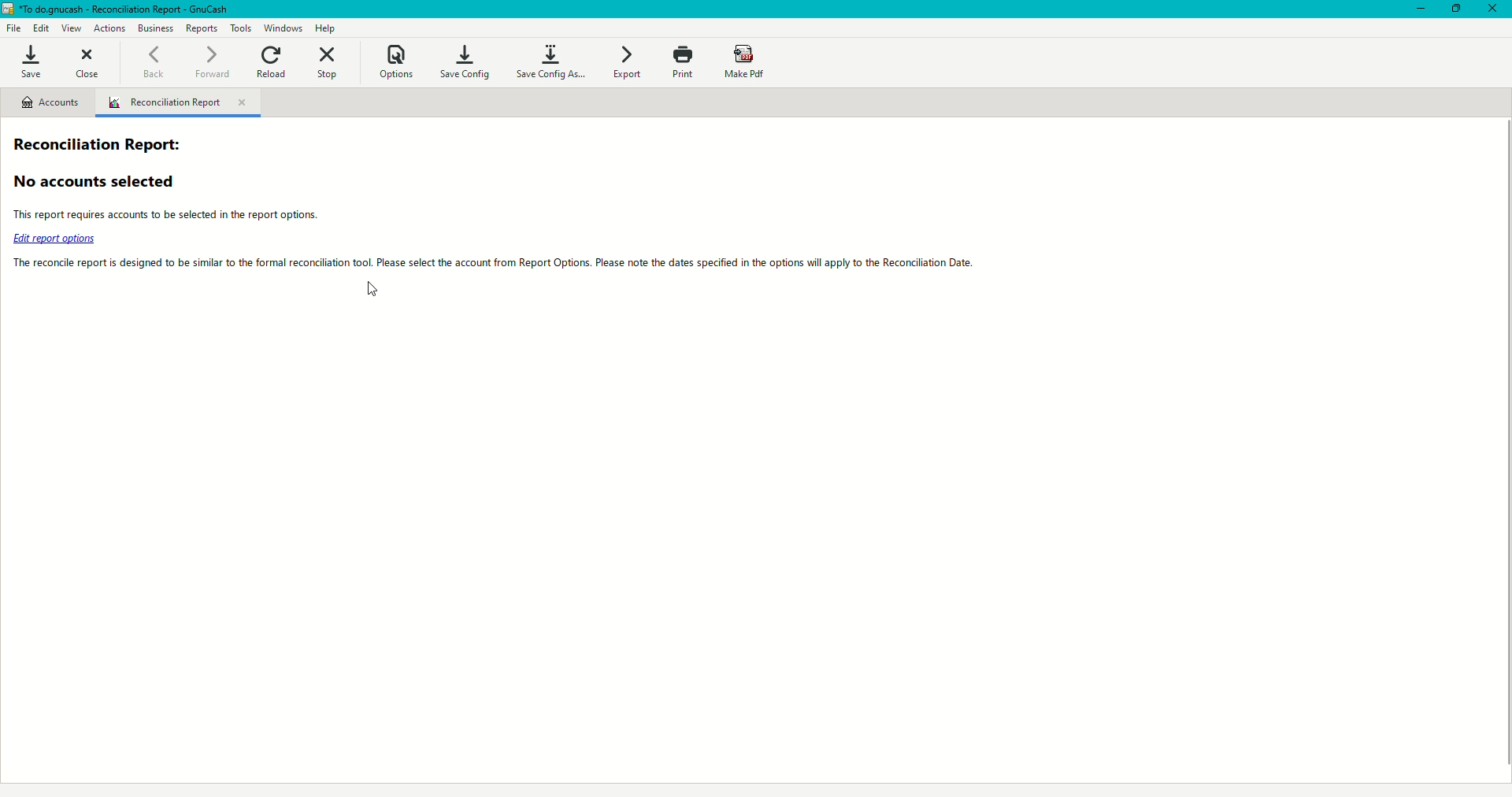 The height and width of the screenshot is (797, 1512). What do you see at coordinates (109, 26) in the screenshot?
I see `Actions` at bounding box center [109, 26].